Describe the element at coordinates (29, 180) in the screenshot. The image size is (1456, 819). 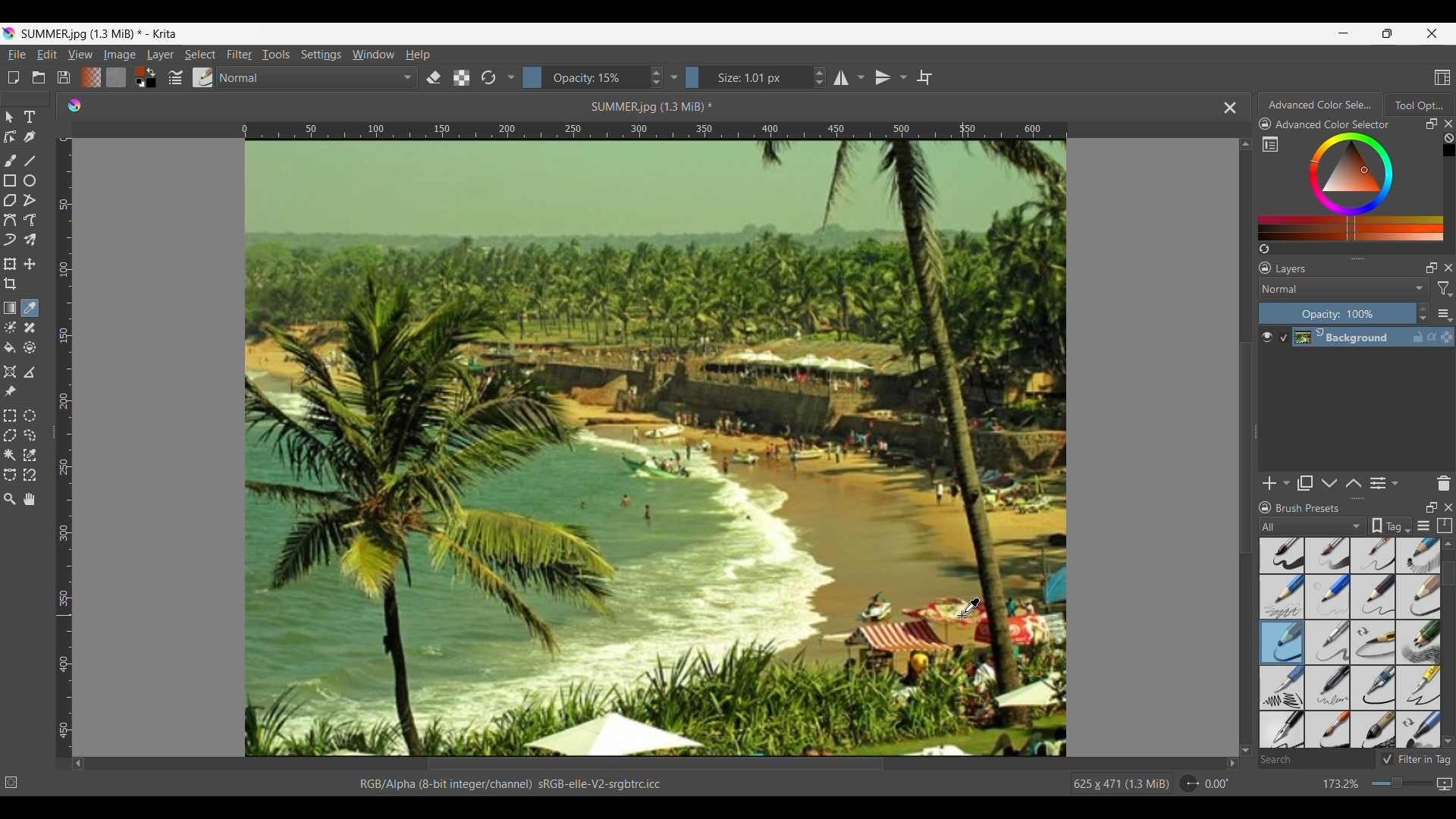
I see `Ellipse tool` at that location.